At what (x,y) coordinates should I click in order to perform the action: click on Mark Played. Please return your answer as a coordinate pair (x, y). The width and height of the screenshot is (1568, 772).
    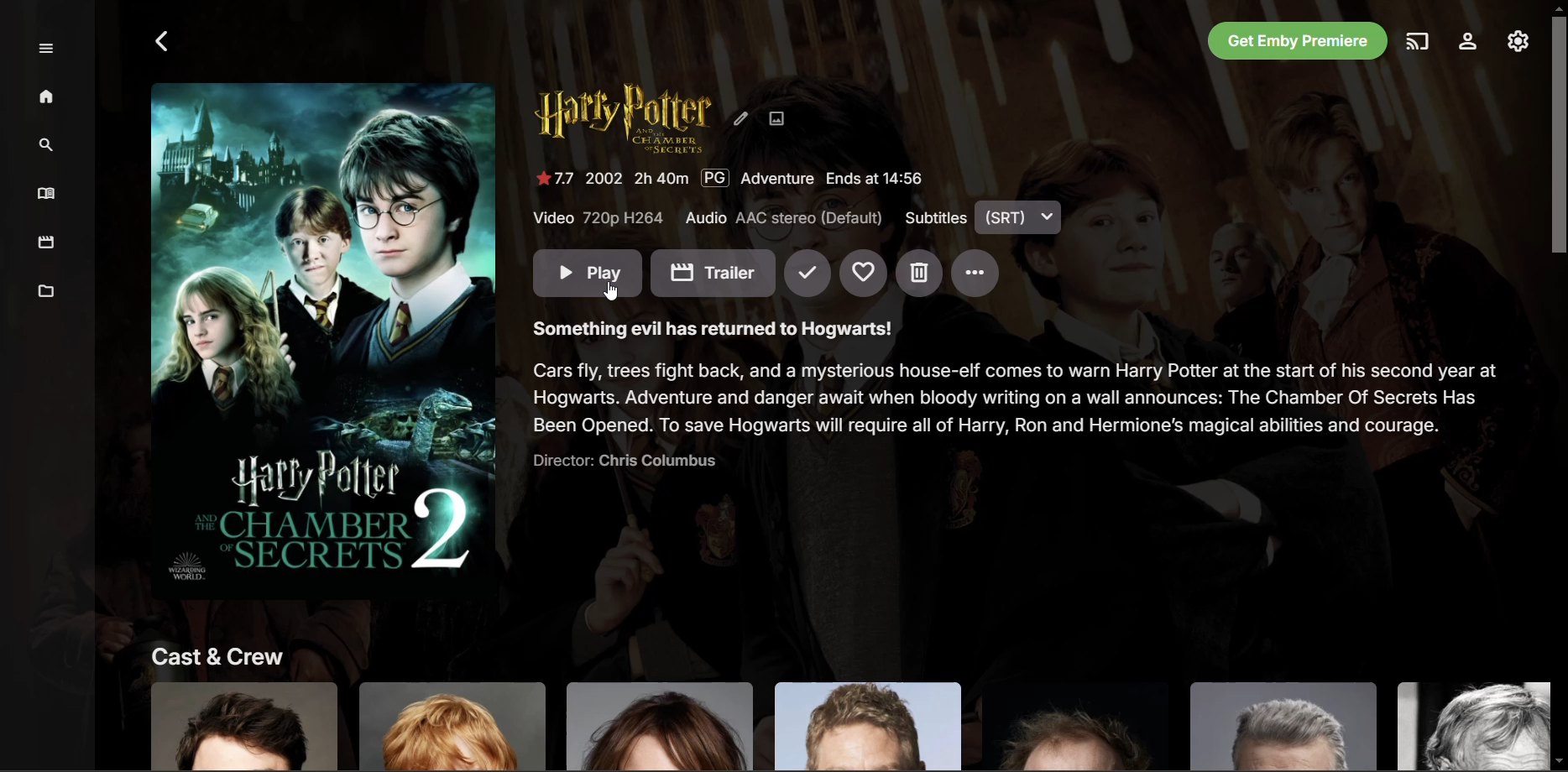
    Looking at the image, I should click on (808, 274).